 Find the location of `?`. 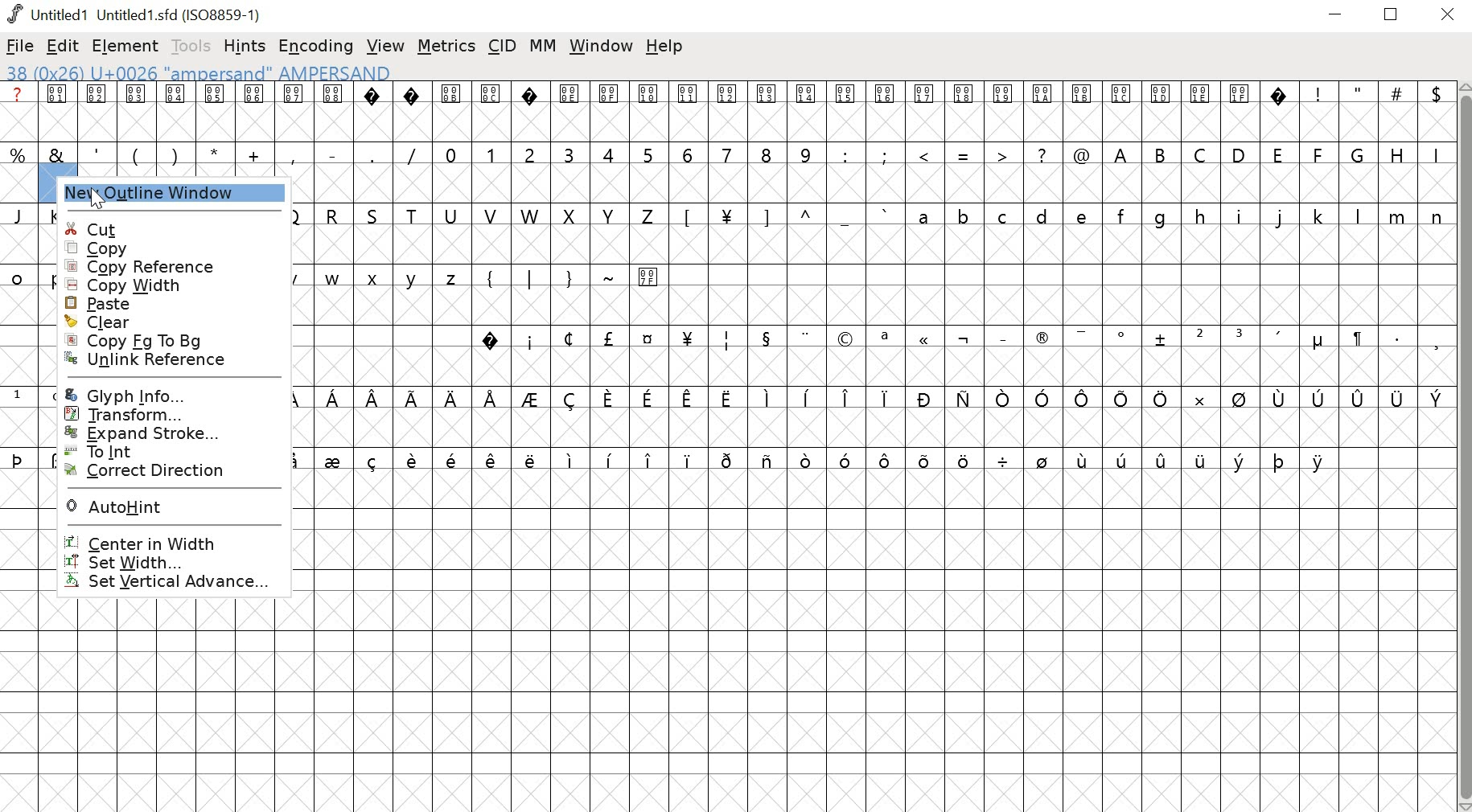

? is located at coordinates (1281, 112).